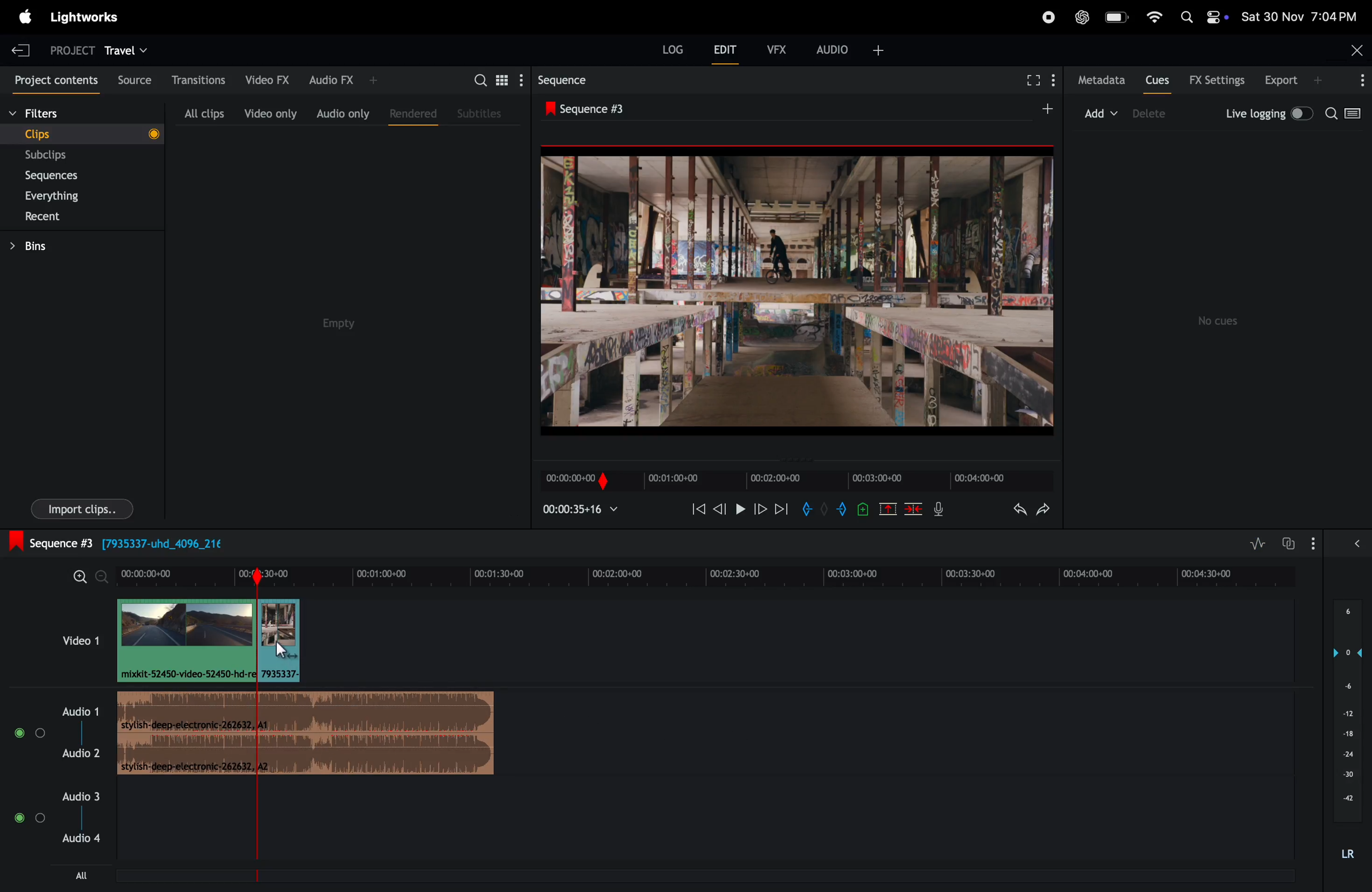 This screenshot has width=1372, height=892. Describe the element at coordinates (29, 818) in the screenshot. I see `Audio` at that location.